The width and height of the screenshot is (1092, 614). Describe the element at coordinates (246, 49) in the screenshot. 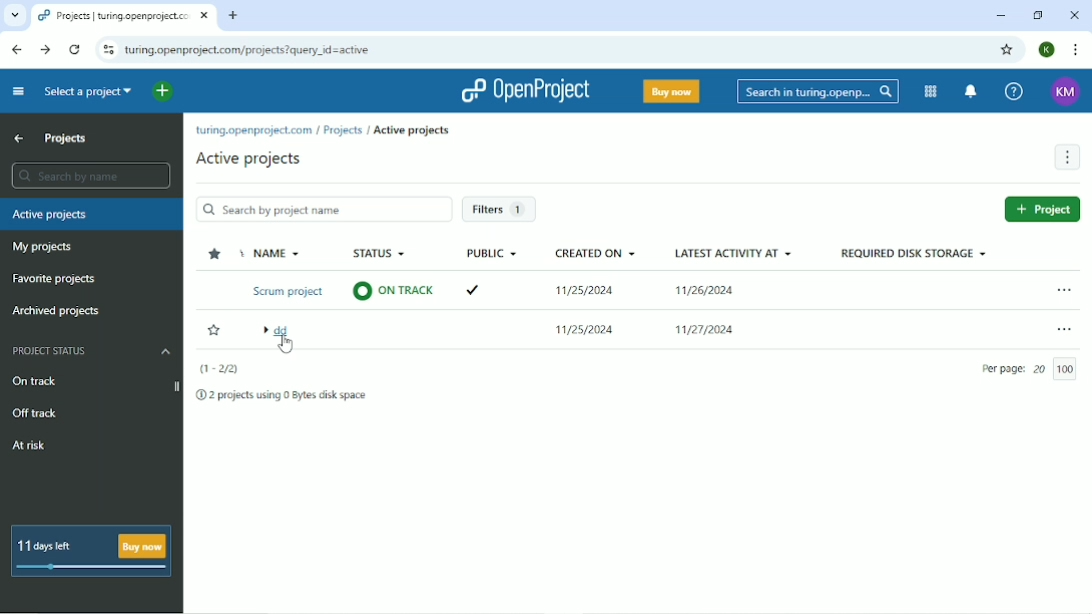

I see `site` at that location.